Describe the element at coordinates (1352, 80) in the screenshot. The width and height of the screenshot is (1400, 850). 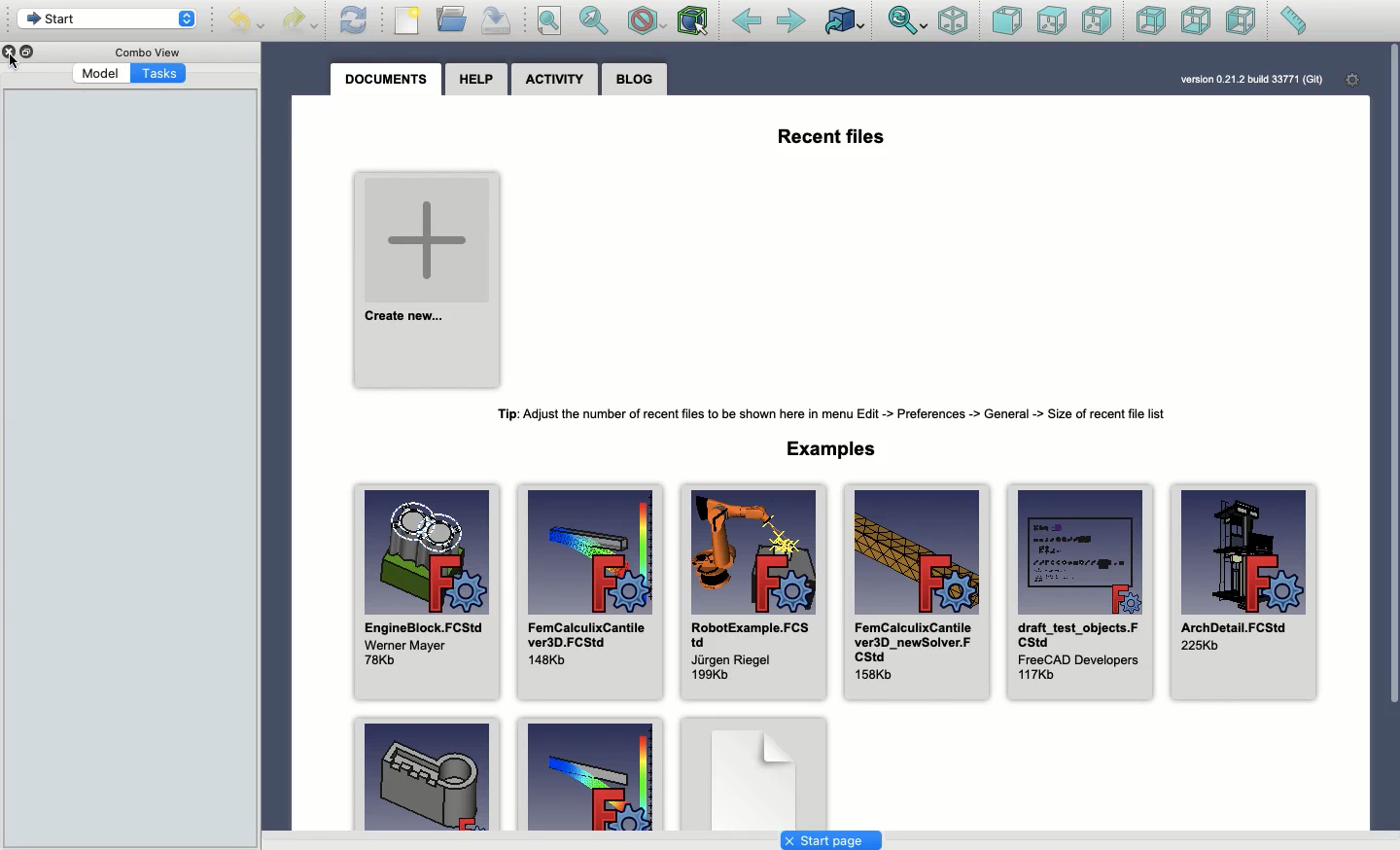
I see `Settings` at that location.